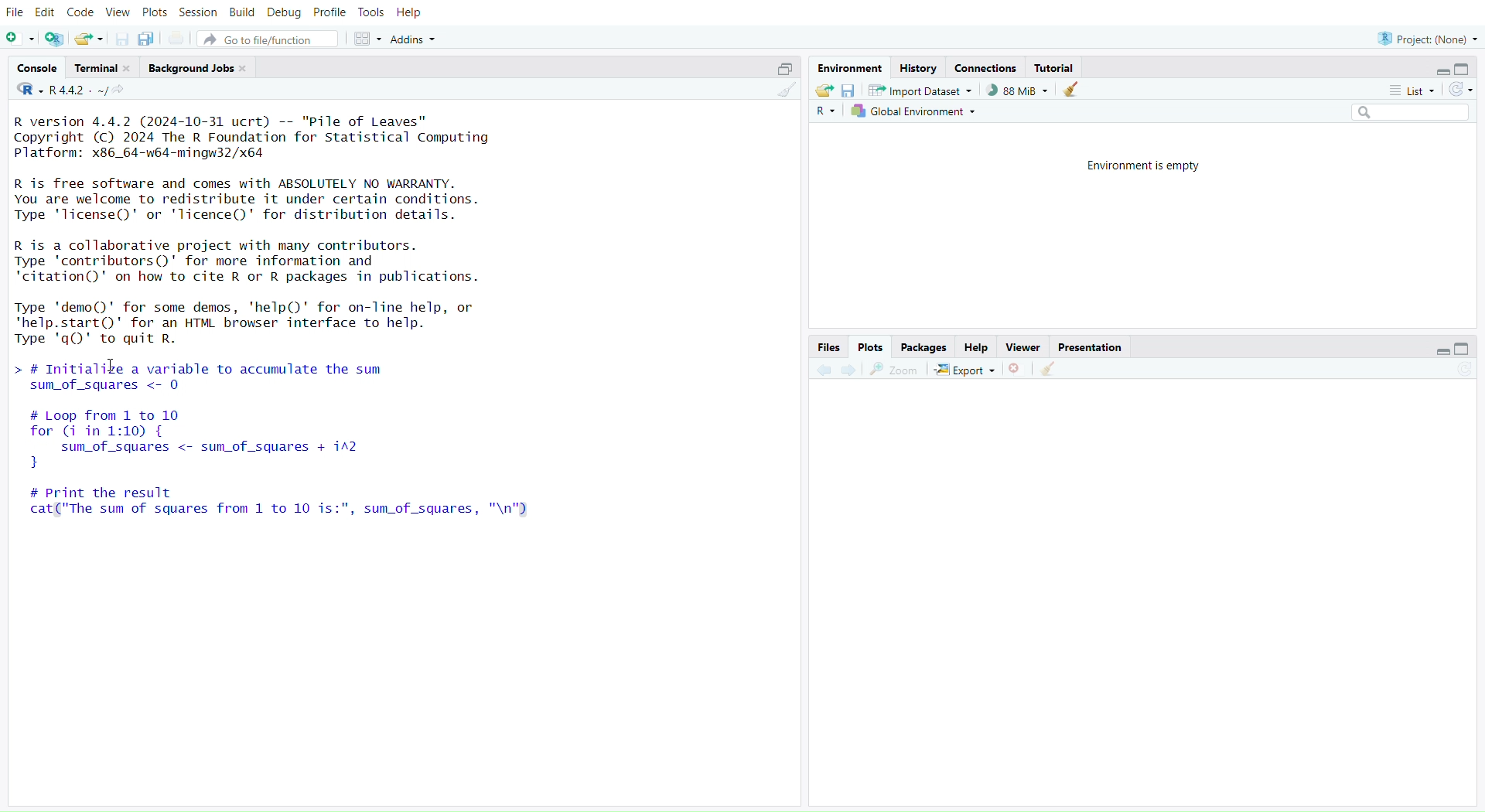 This screenshot has width=1485, height=812. I want to click on connections, so click(986, 67).